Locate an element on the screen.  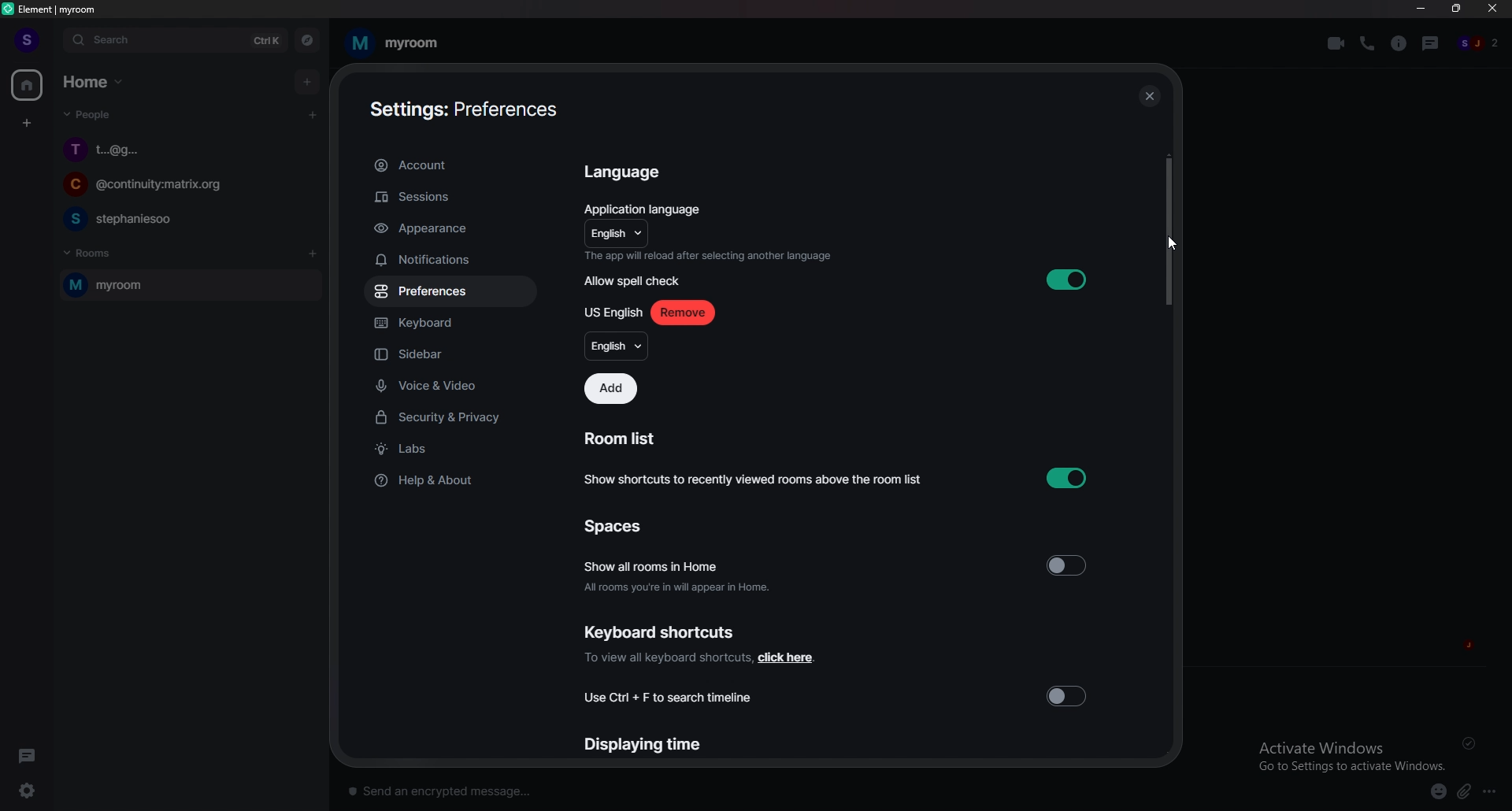
show all rooms in home is located at coordinates (678, 574).